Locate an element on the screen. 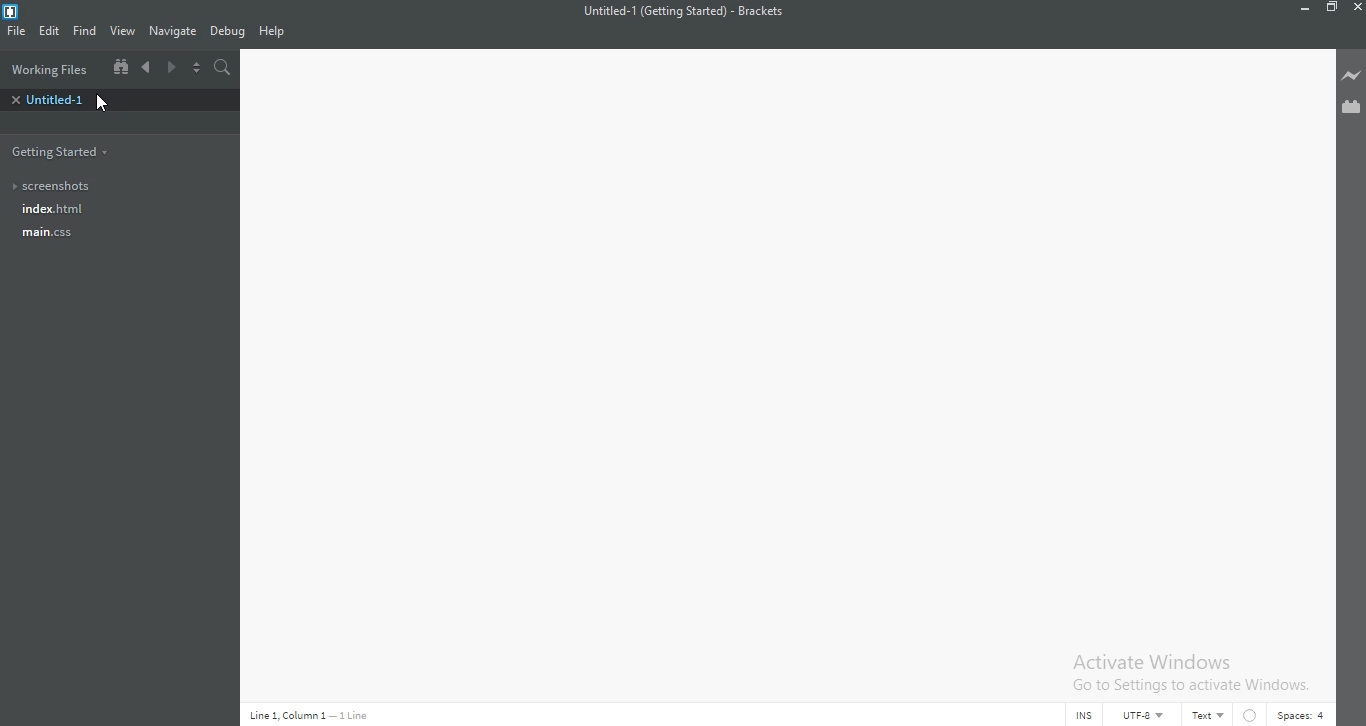 This screenshot has height=726, width=1366. Cursor is located at coordinates (101, 104).